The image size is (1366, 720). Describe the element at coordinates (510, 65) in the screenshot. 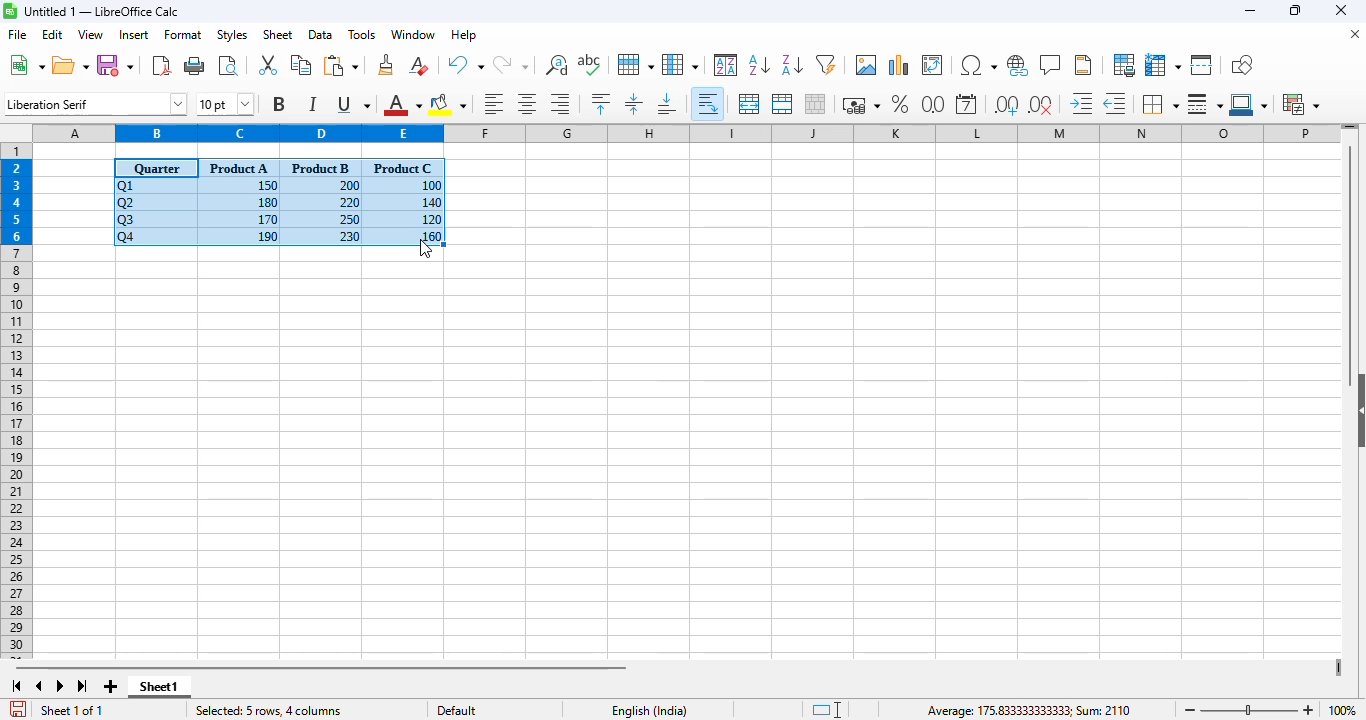

I see `redo` at that location.